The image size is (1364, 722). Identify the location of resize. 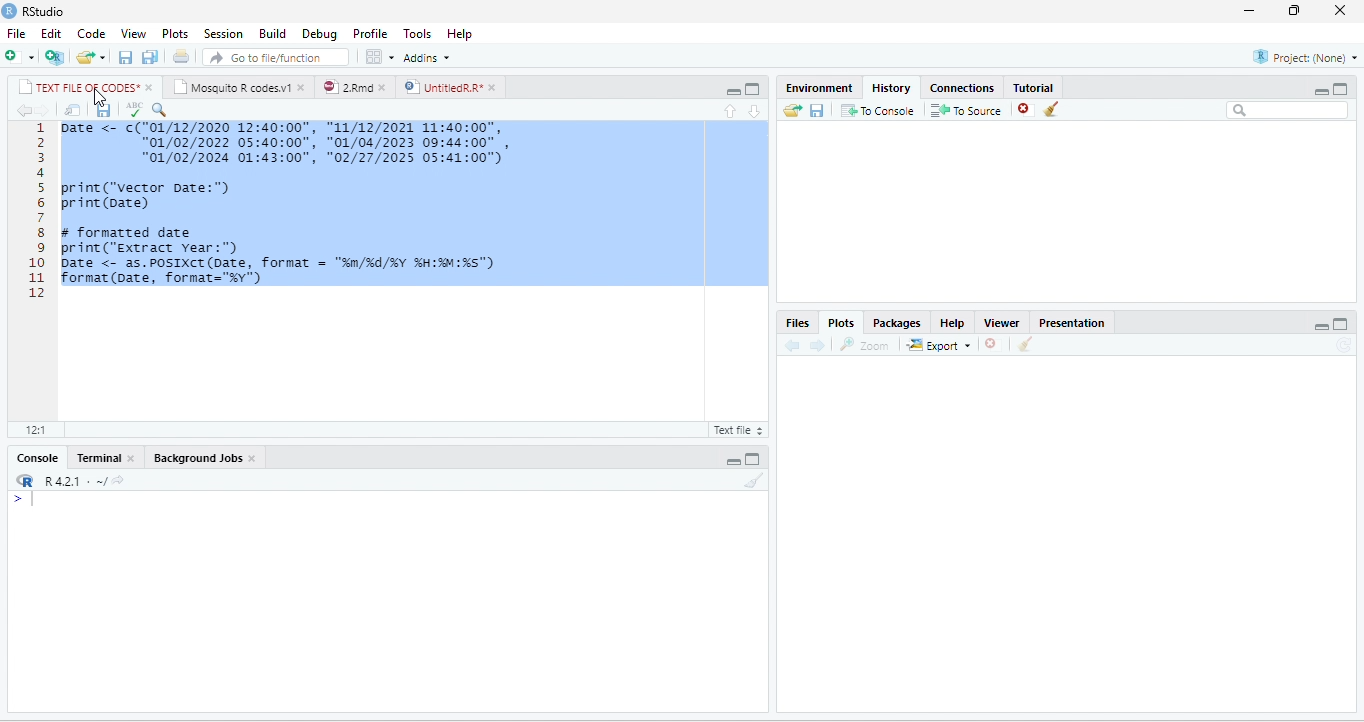
(1294, 11).